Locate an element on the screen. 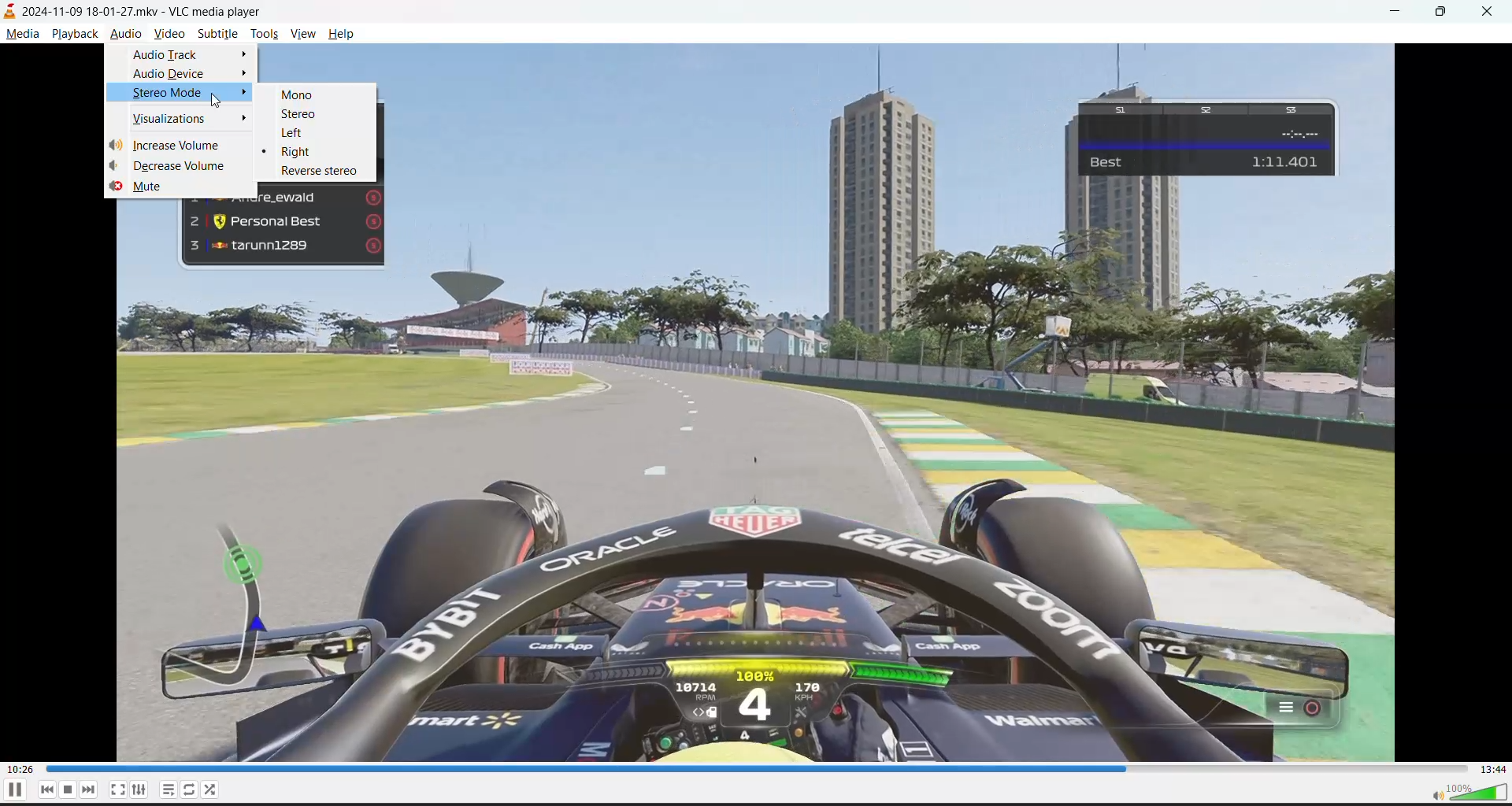  playback is located at coordinates (75, 35).